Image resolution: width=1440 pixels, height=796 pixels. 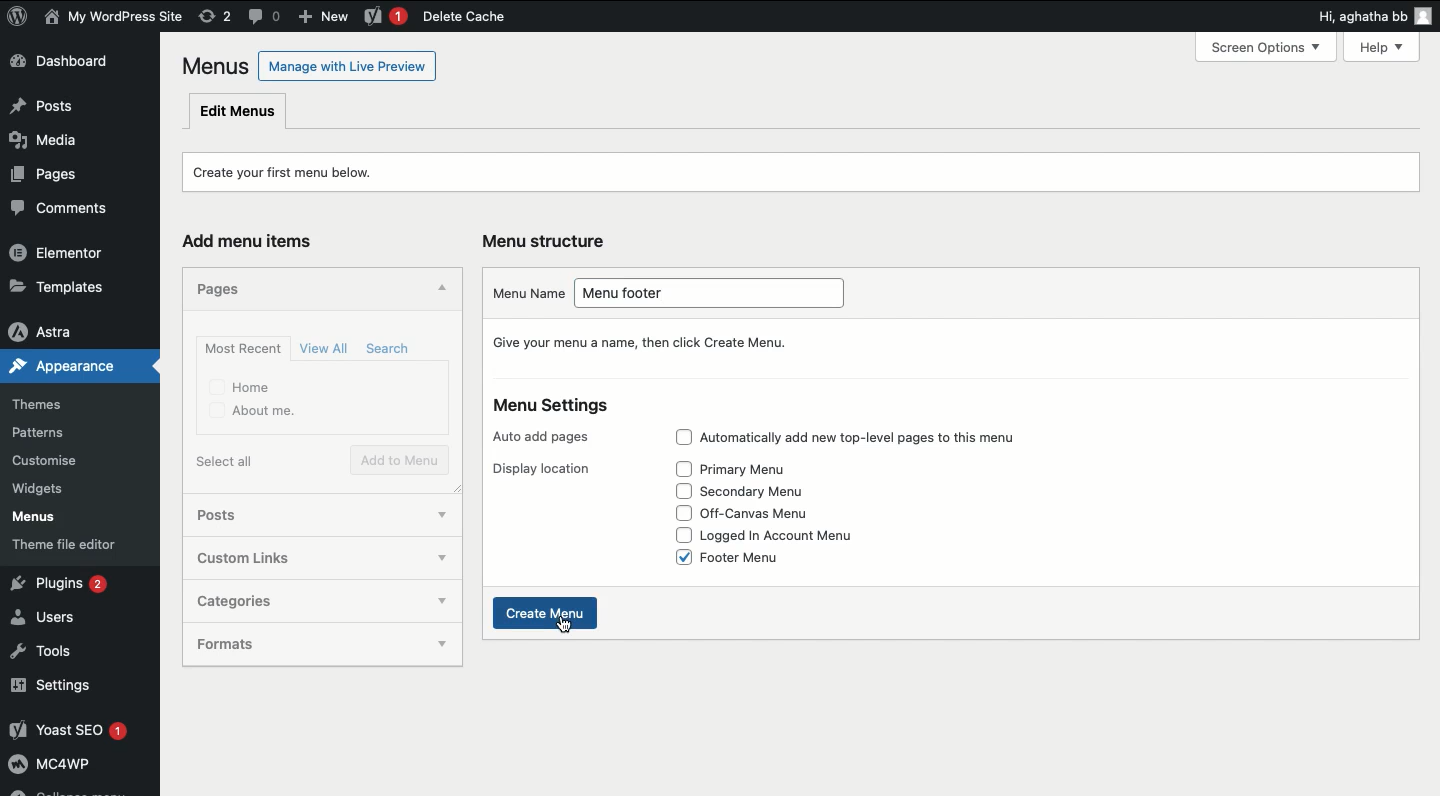 I want to click on Hide, so click(x=443, y=287).